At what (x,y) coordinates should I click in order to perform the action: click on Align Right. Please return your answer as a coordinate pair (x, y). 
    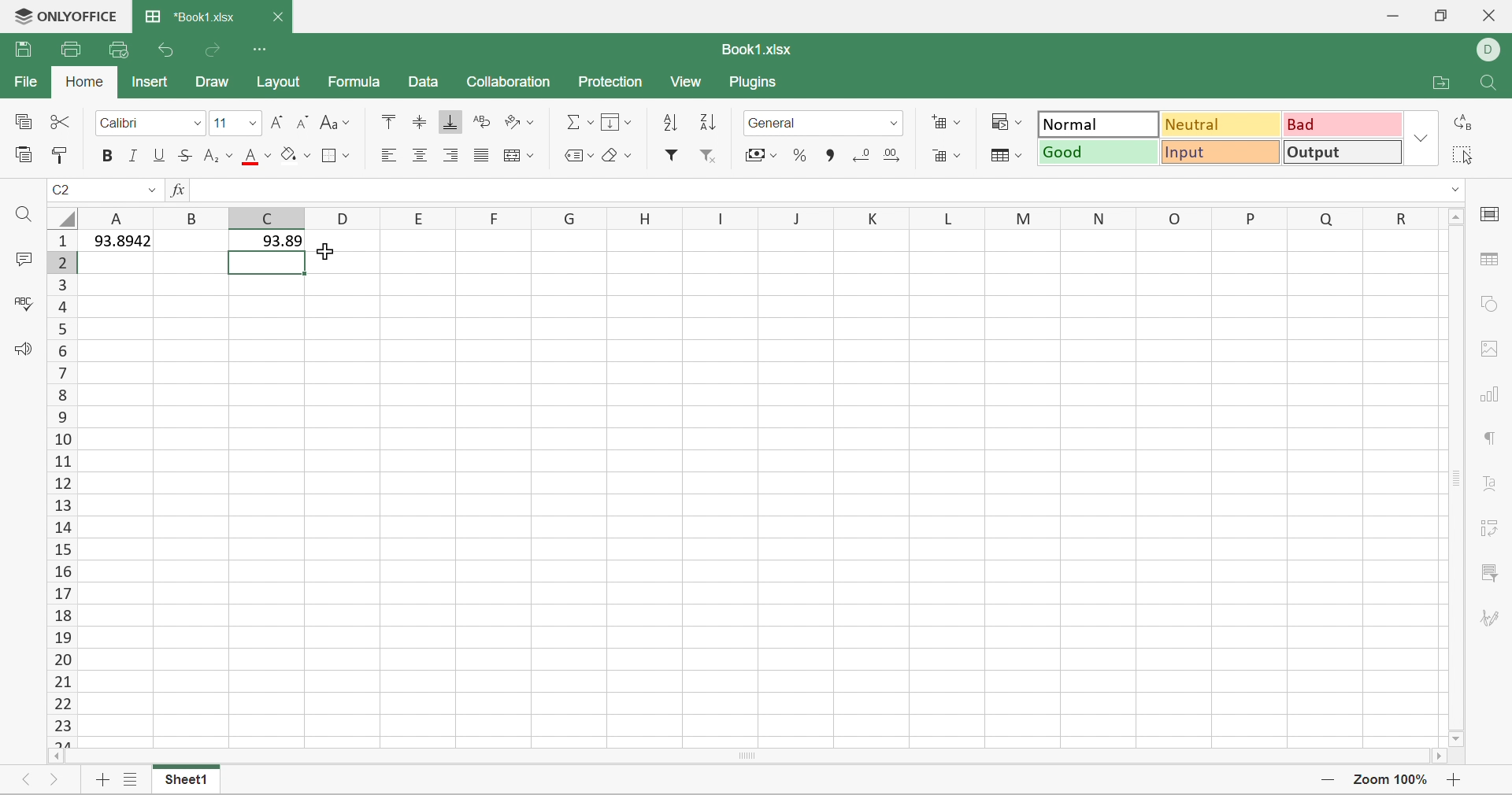
    Looking at the image, I should click on (451, 153).